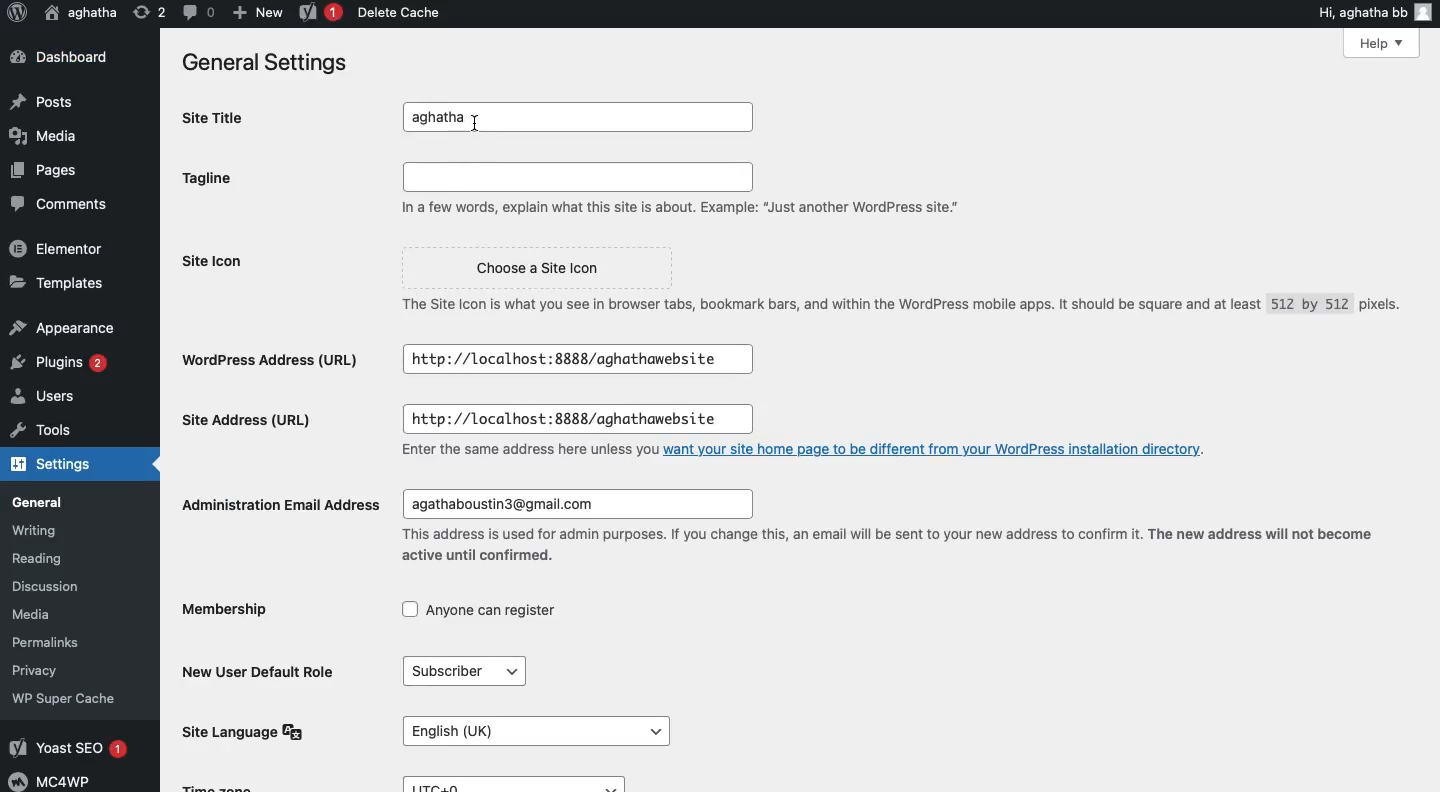  I want to click on Site icon, so click(234, 278).